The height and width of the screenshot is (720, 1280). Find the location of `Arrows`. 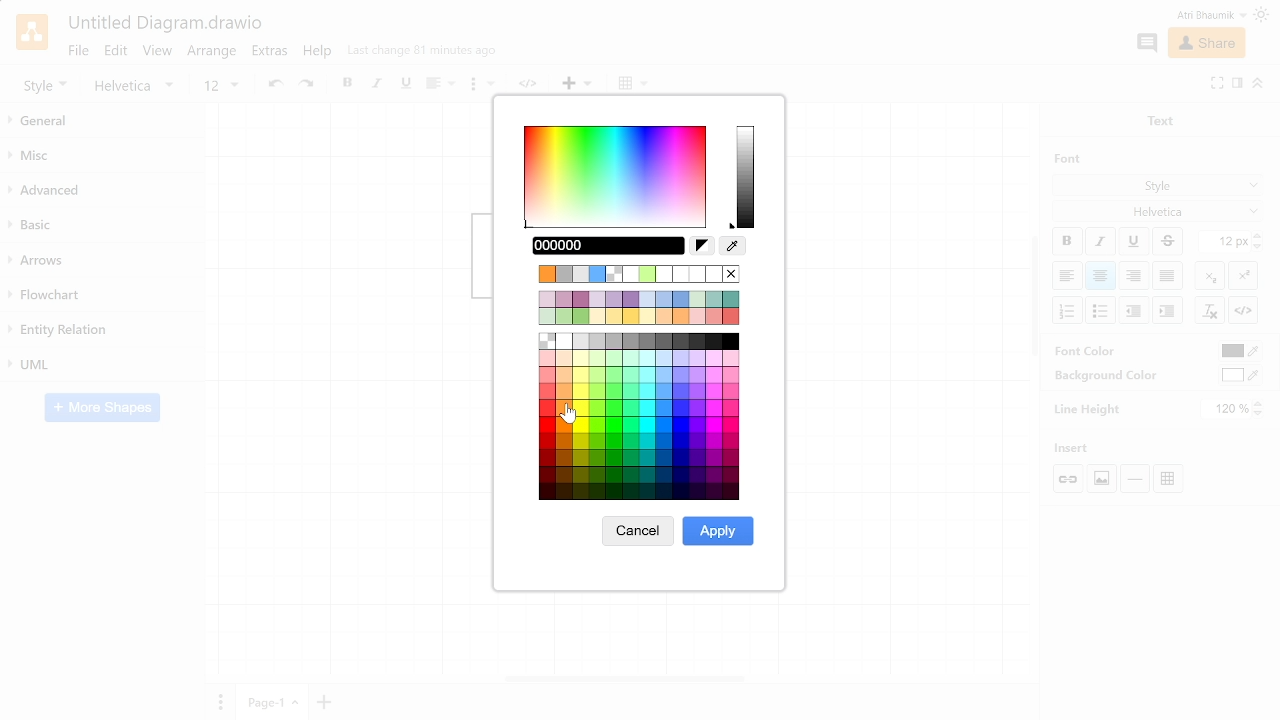

Arrows is located at coordinates (103, 261).